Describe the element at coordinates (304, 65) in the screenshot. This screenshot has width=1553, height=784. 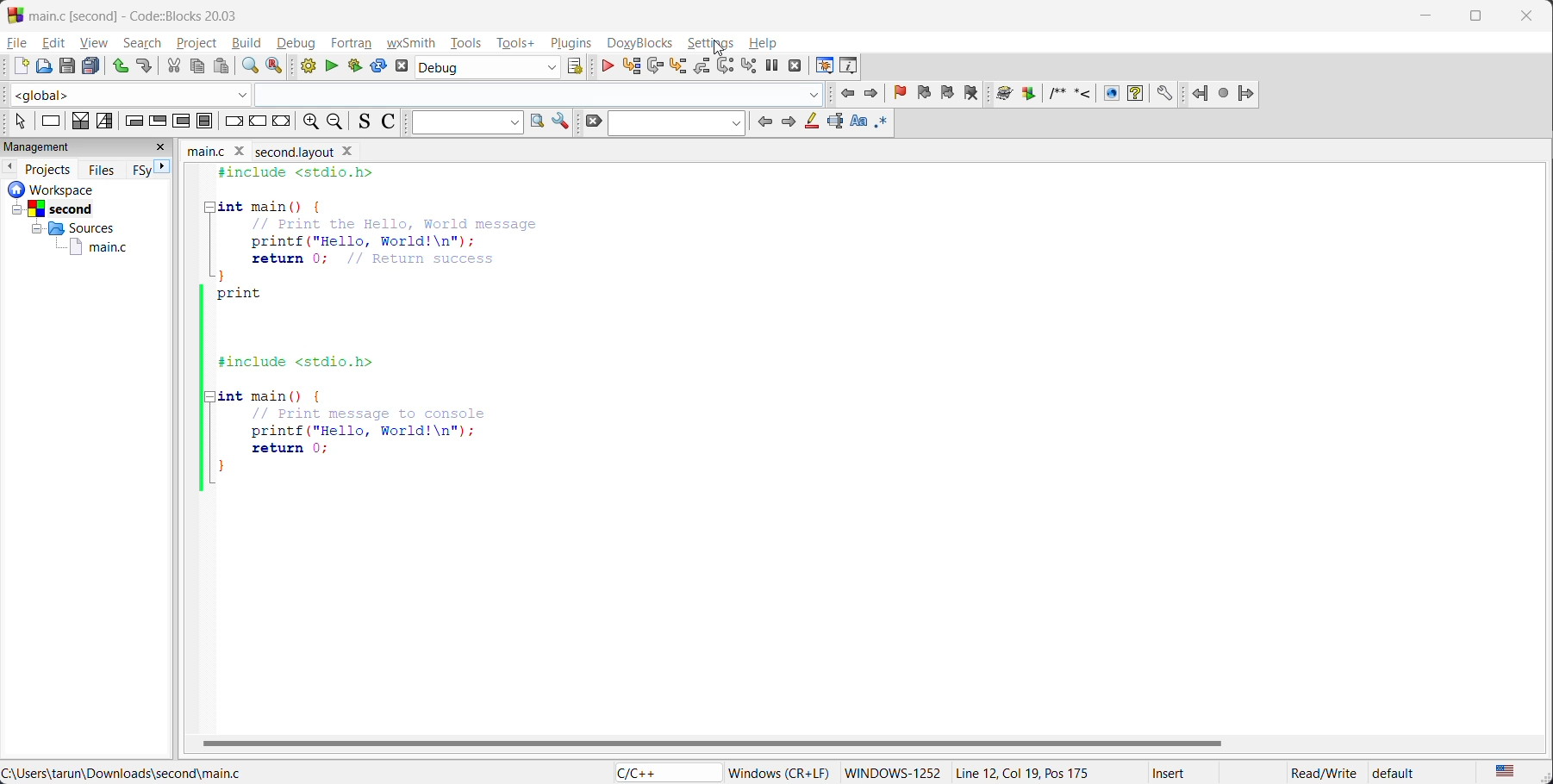
I see `build` at that location.